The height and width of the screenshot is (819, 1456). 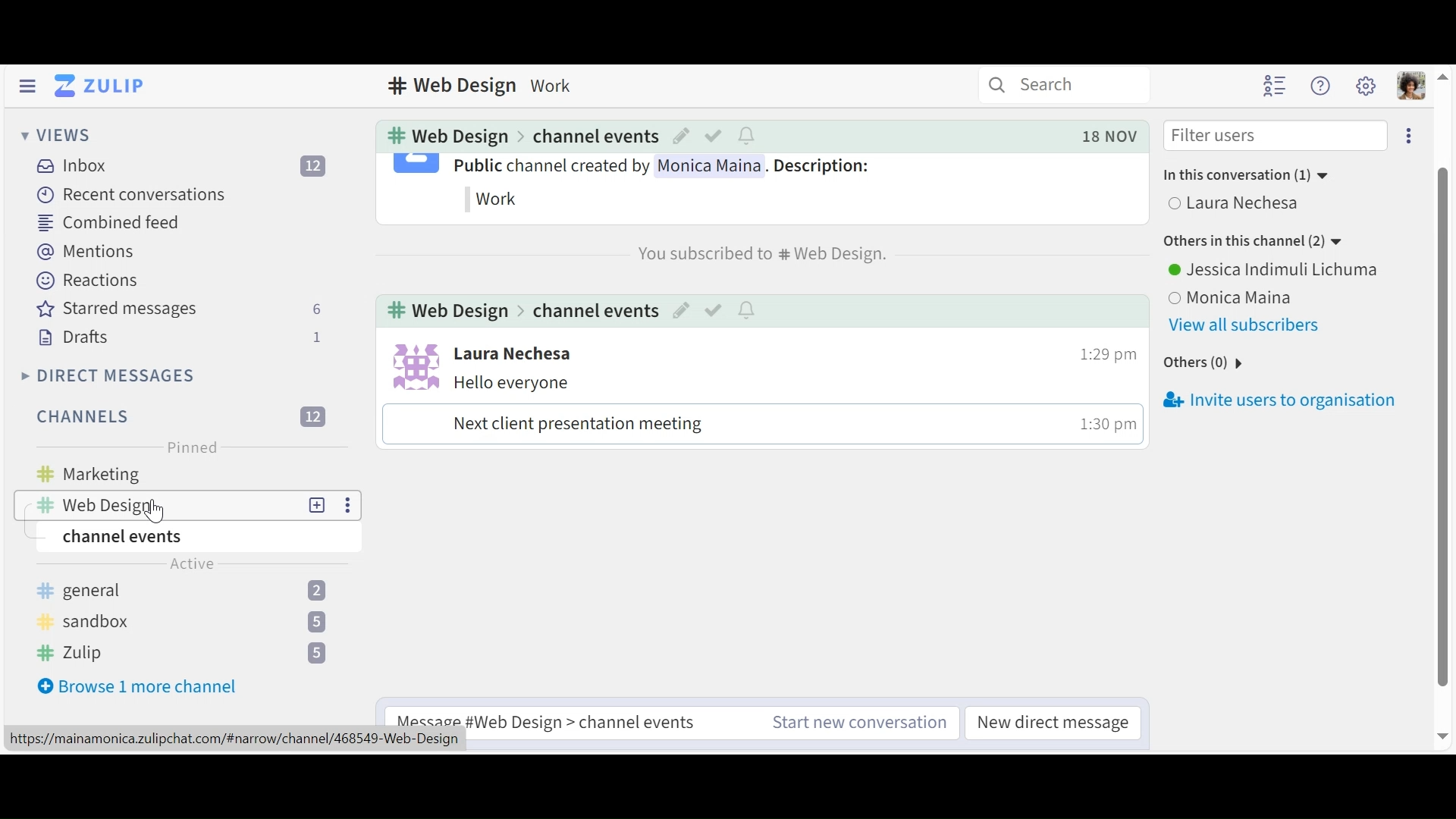 What do you see at coordinates (89, 281) in the screenshot?
I see `Reactions` at bounding box center [89, 281].